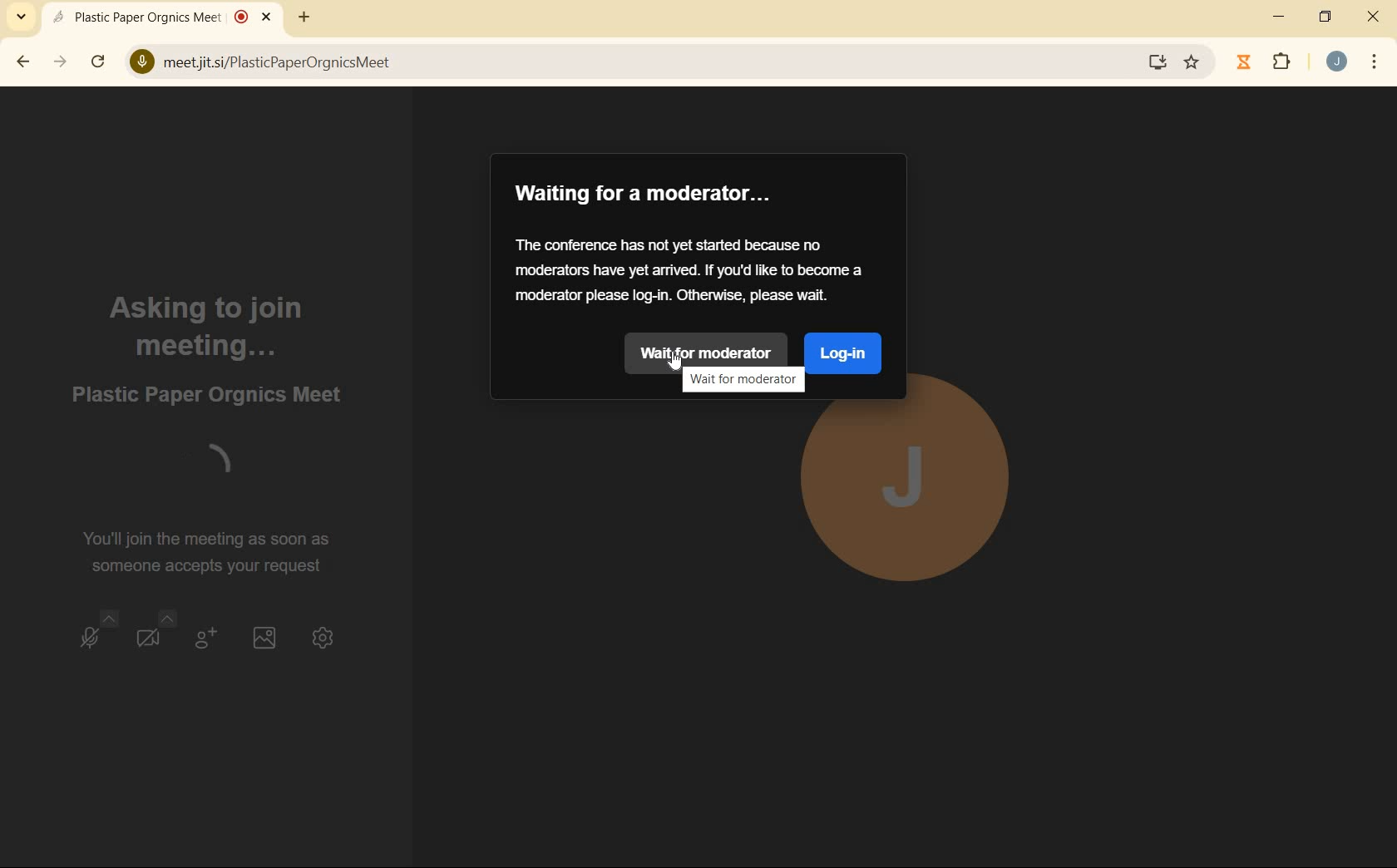  I want to click on invite people, so click(203, 638).